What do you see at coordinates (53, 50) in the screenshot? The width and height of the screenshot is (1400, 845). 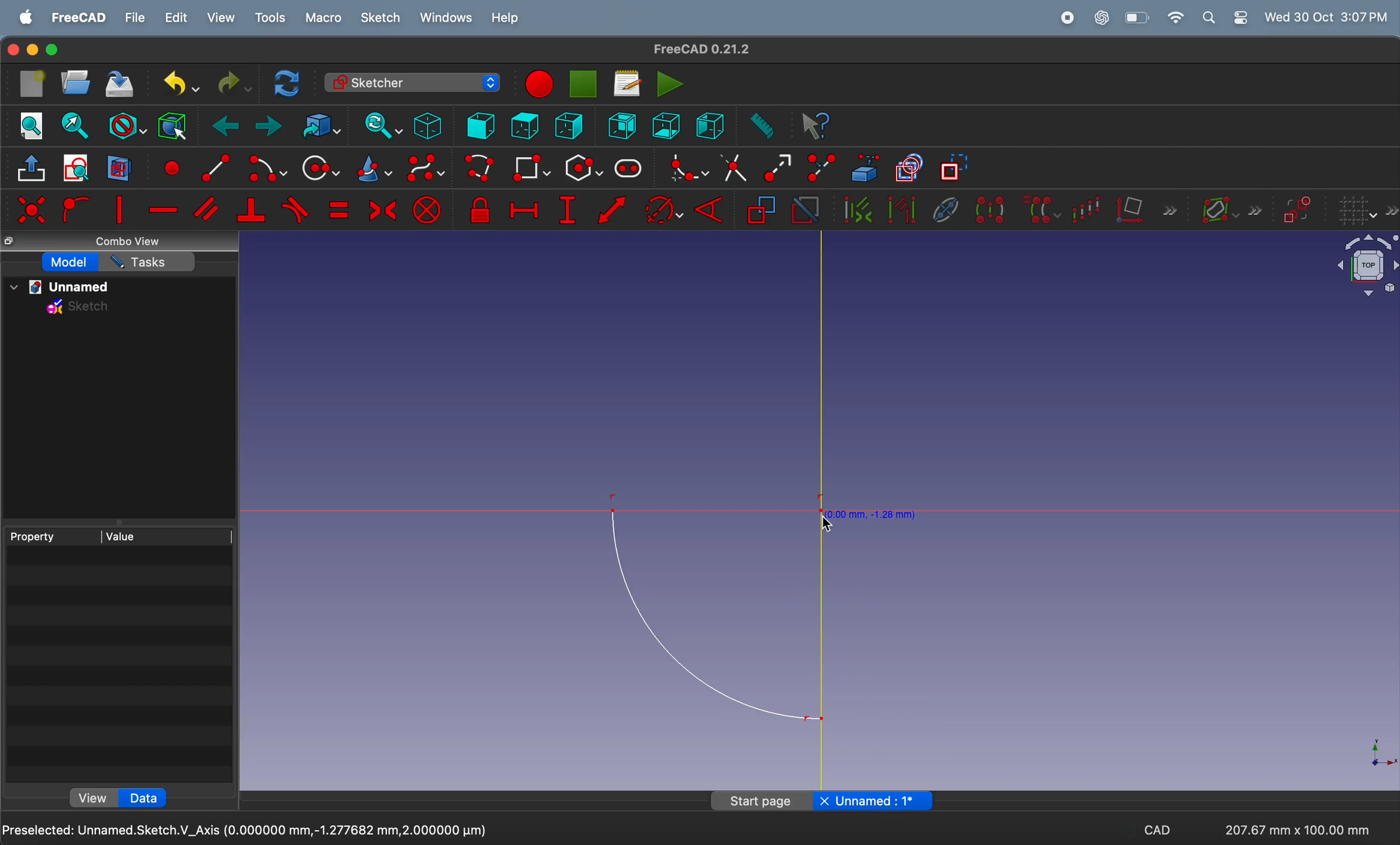 I see `Enter full screen` at bounding box center [53, 50].